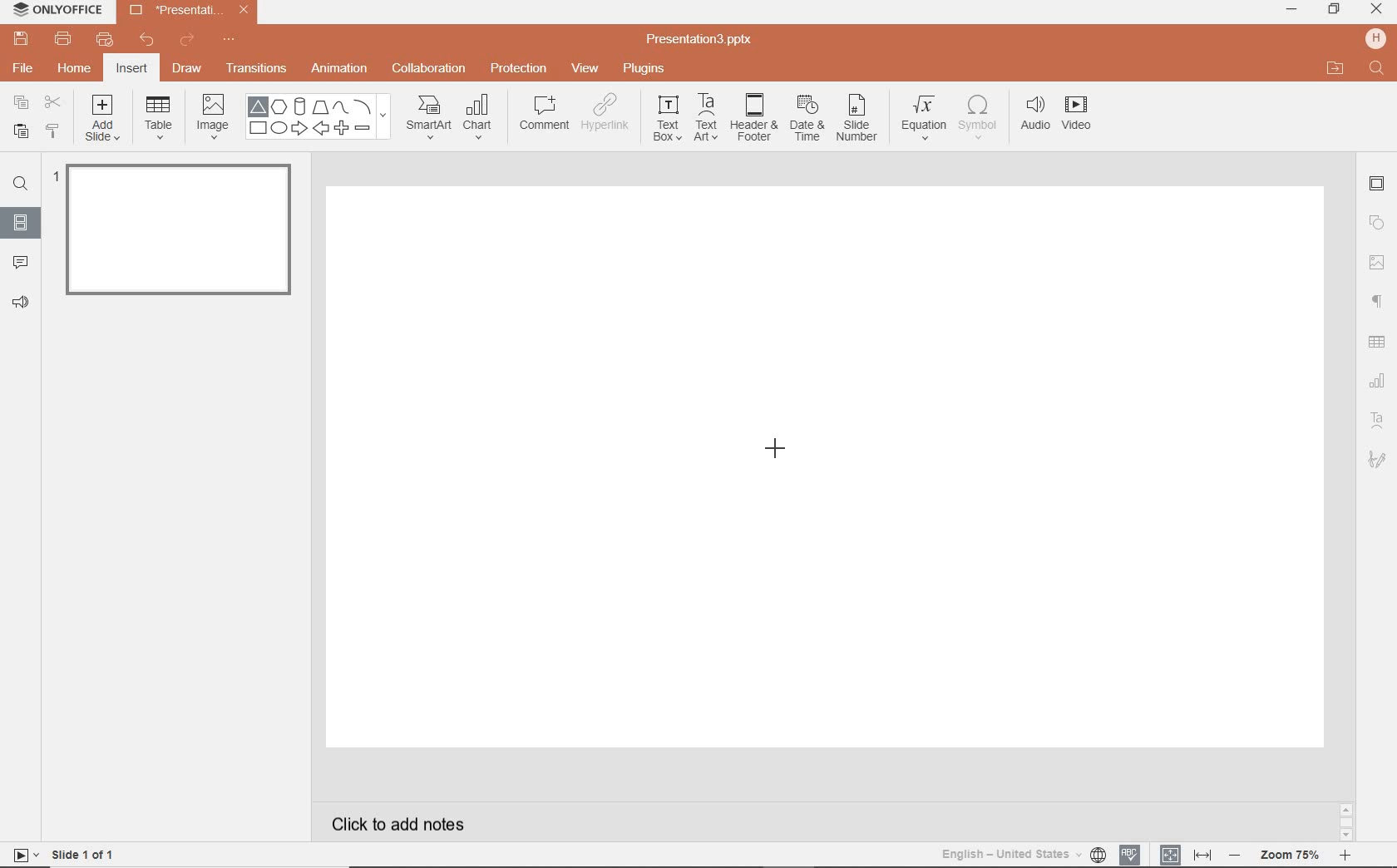 This screenshot has height=868, width=1397. I want to click on CLICK TO ADD NOTES, so click(413, 824).